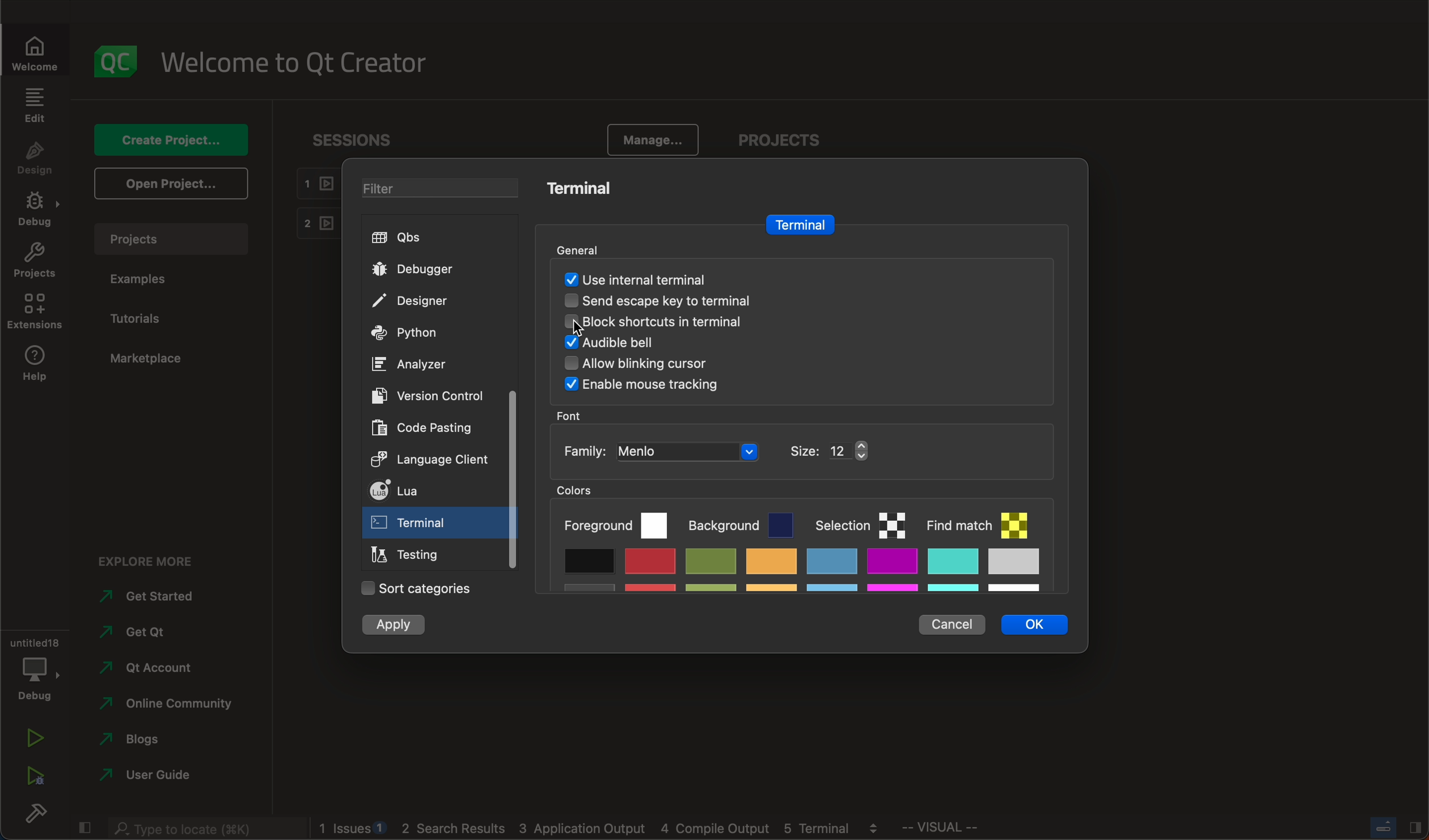  I want to click on blogs, so click(144, 738).